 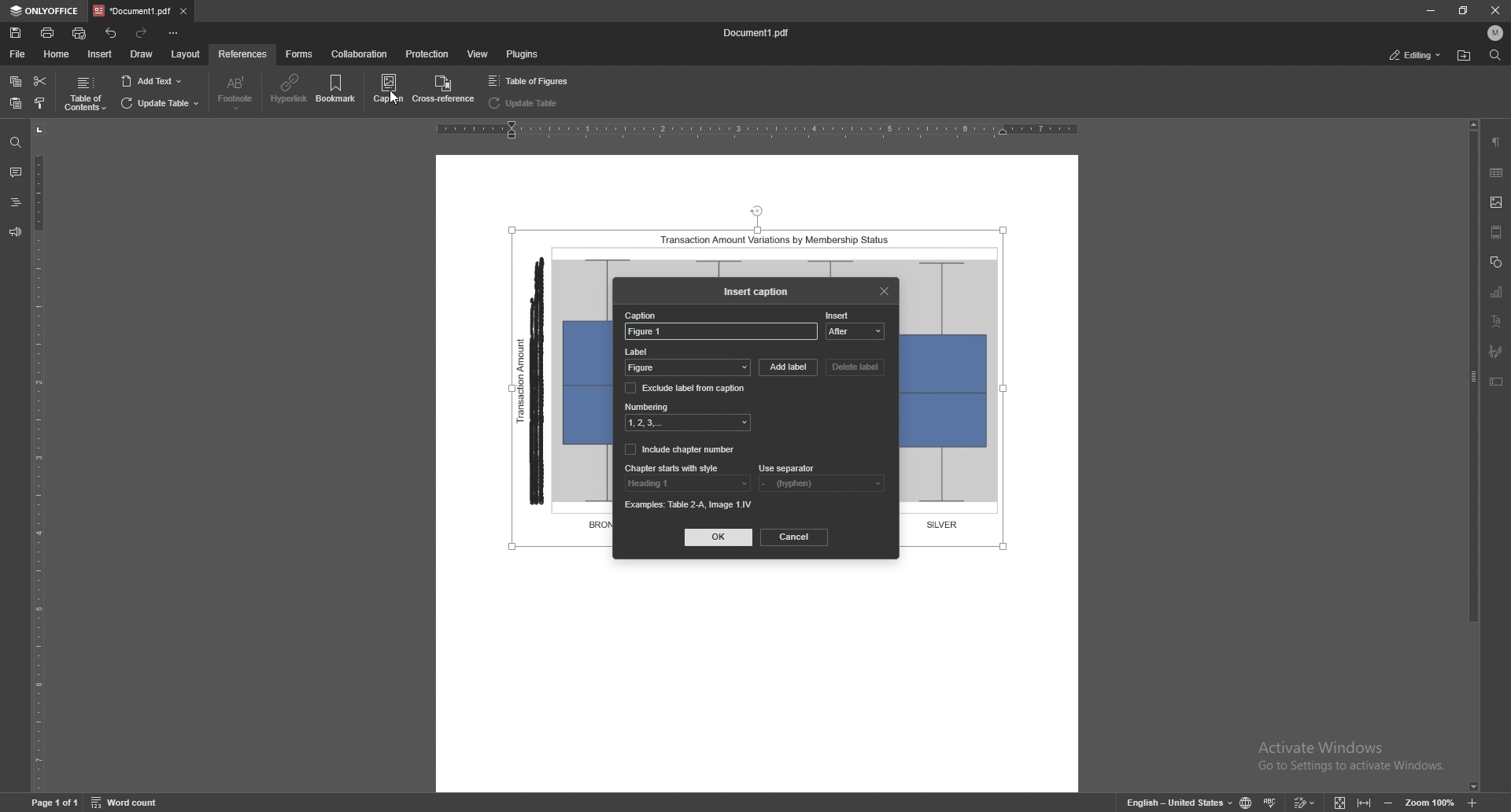 What do you see at coordinates (82, 33) in the screenshot?
I see `quick print` at bounding box center [82, 33].